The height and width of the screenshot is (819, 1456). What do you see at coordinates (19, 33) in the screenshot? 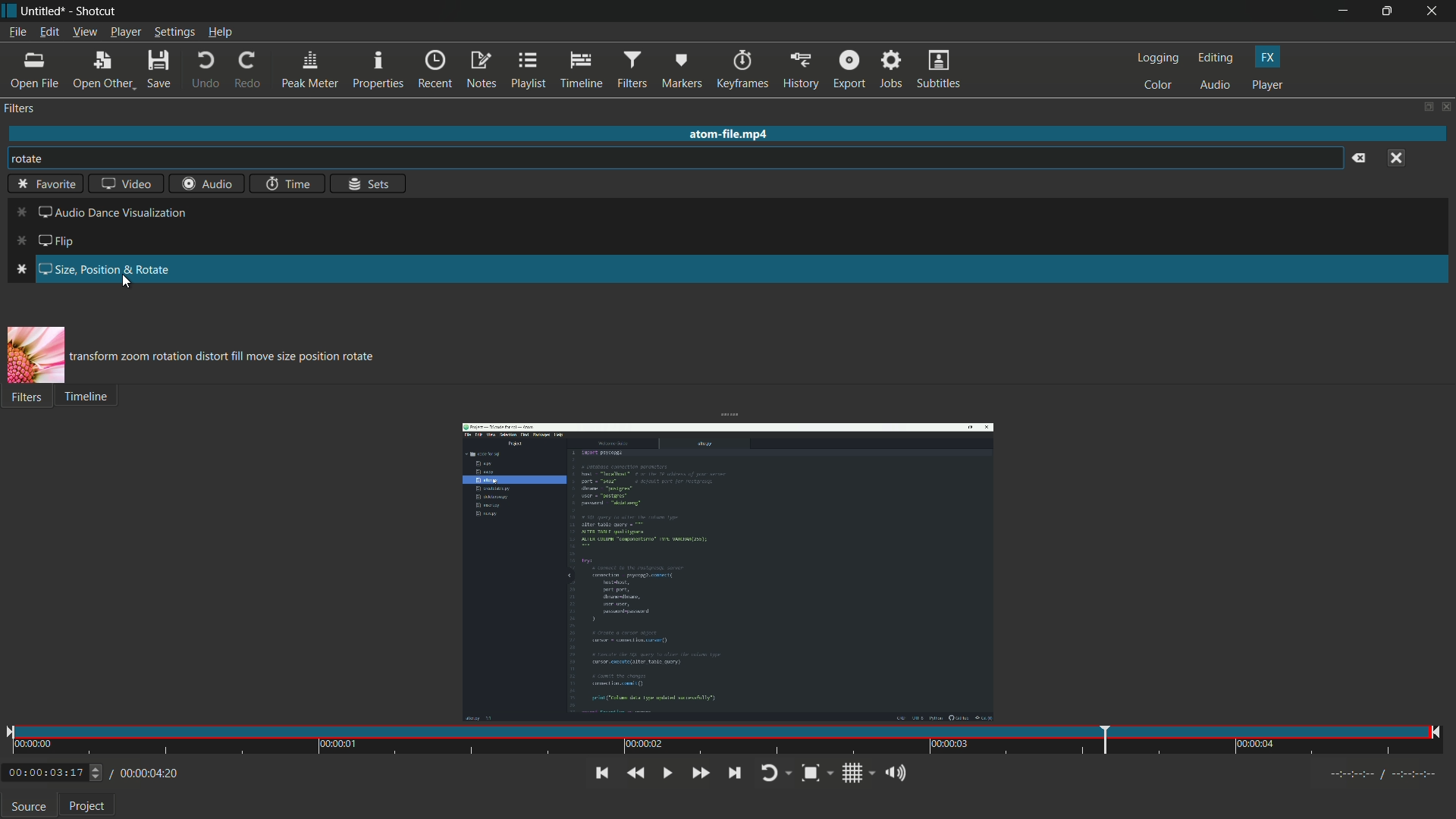
I see `file menu` at bounding box center [19, 33].